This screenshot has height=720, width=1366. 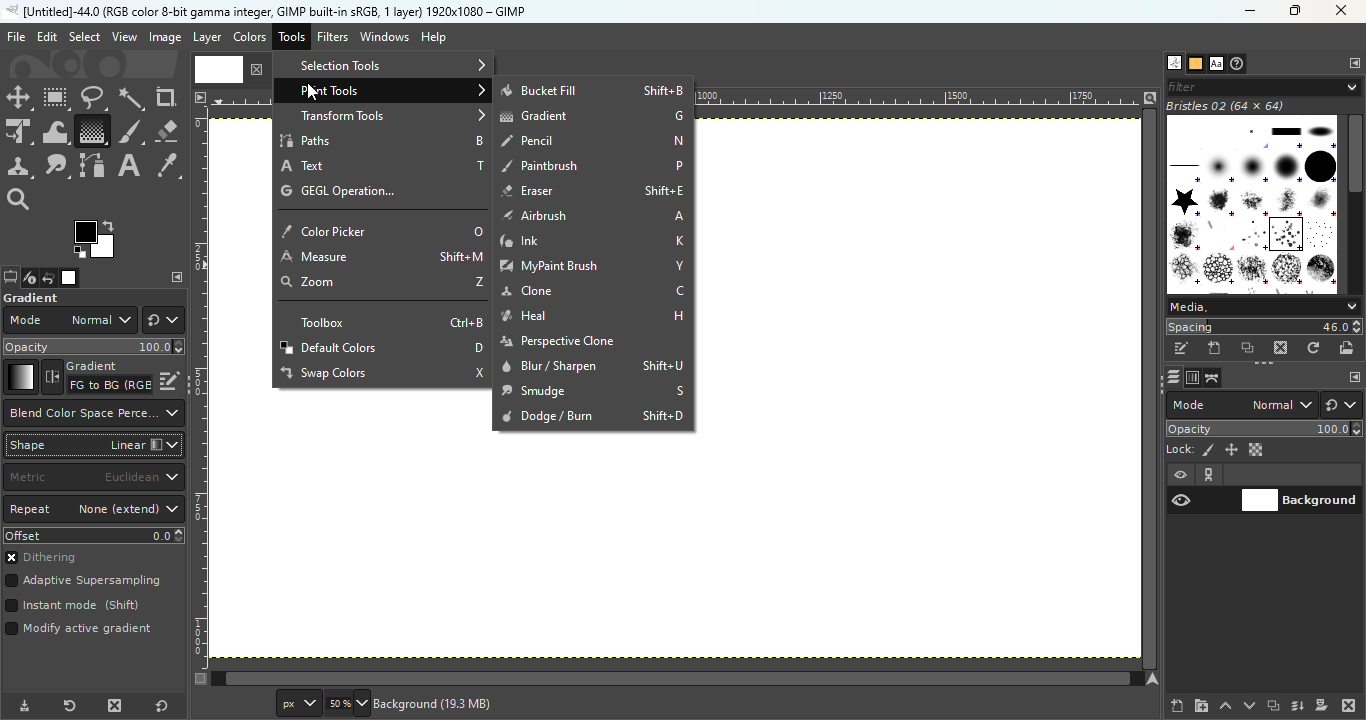 I want to click on Paths tool, so click(x=93, y=166).